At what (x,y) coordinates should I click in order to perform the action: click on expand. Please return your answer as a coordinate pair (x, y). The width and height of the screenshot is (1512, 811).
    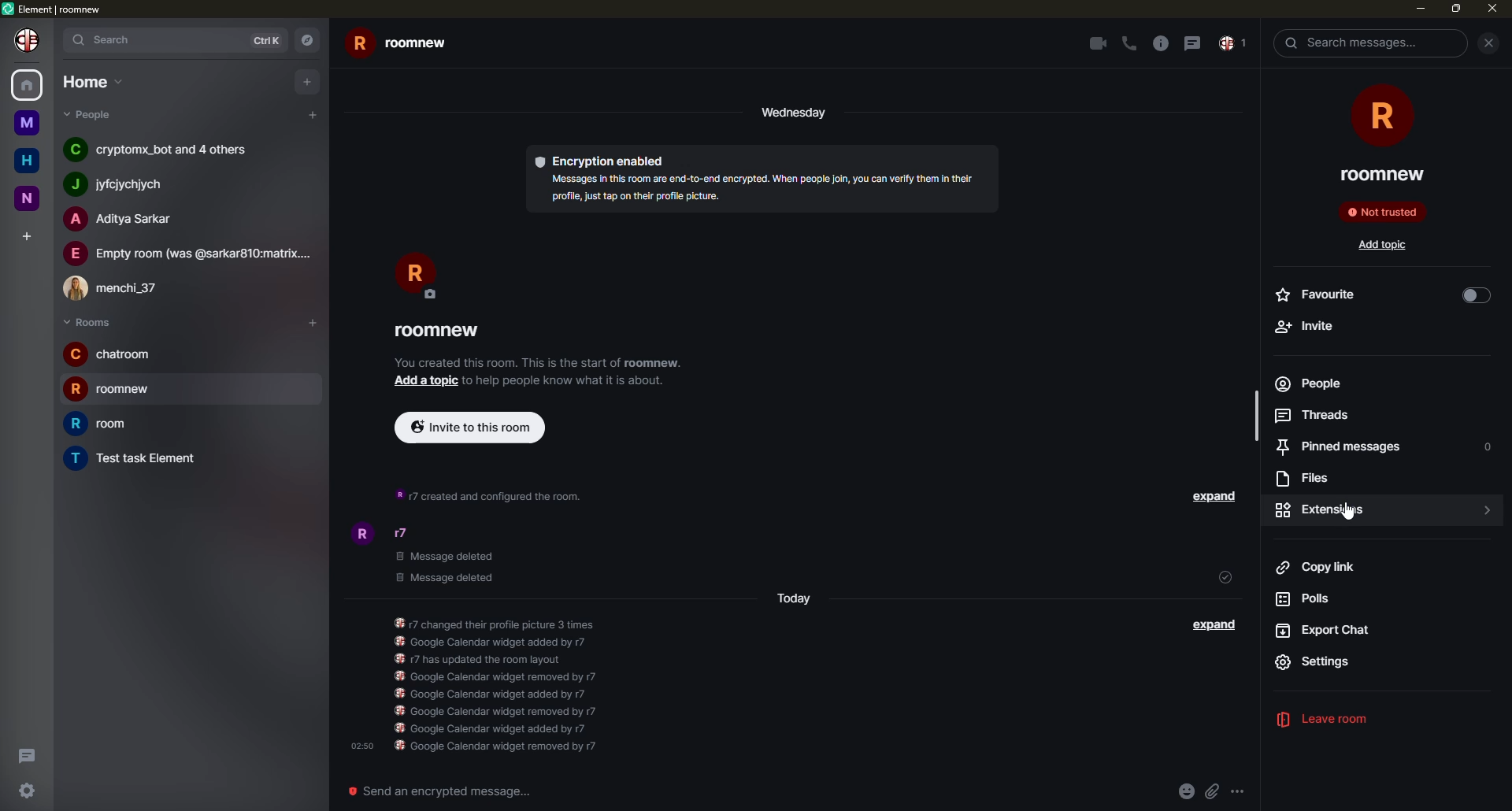
    Looking at the image, I should click on (1214, 626).